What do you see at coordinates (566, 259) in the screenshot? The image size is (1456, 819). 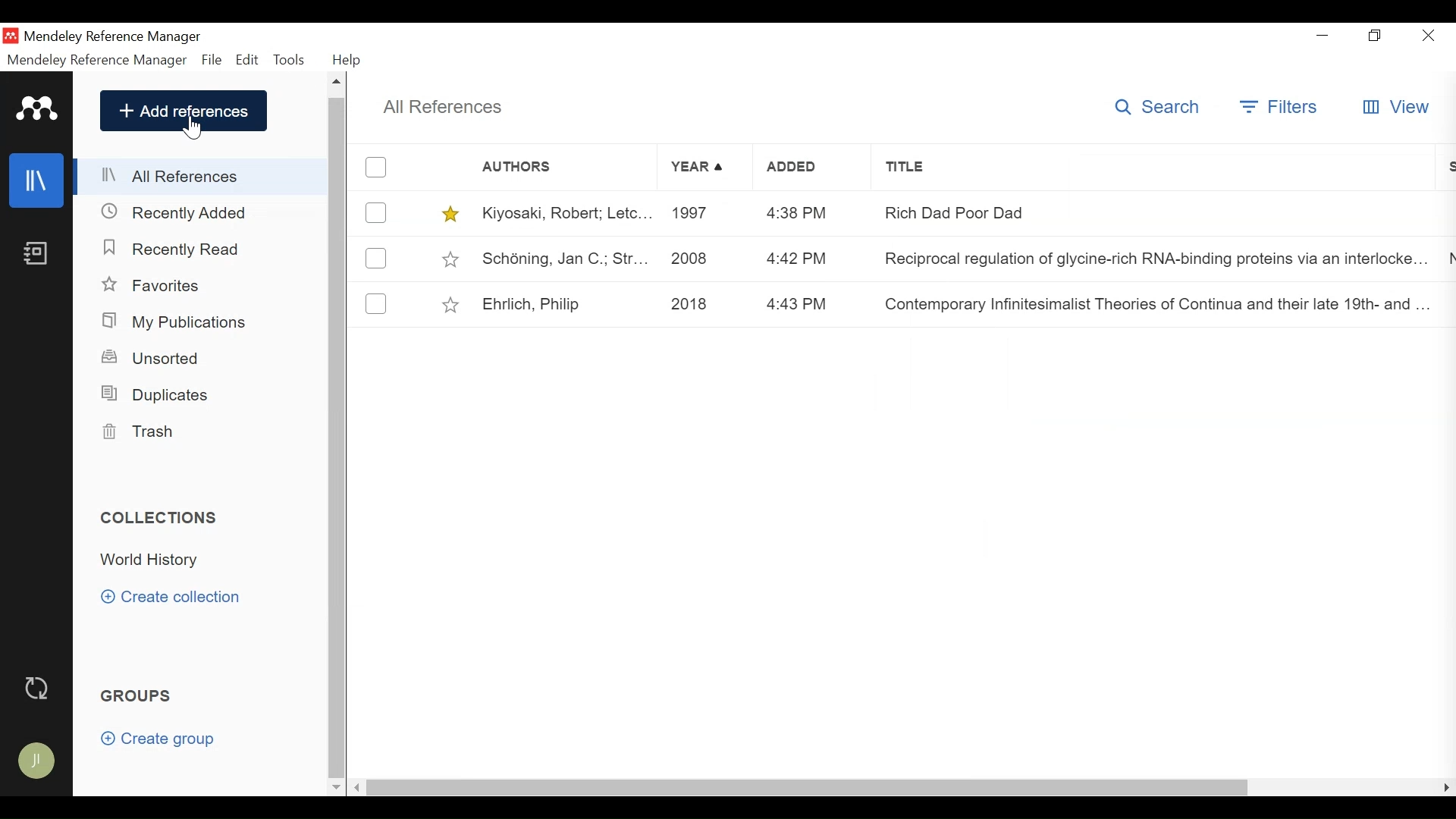 I see `Schéning, Jan C.; Str...` at bounding box center [566, 259].